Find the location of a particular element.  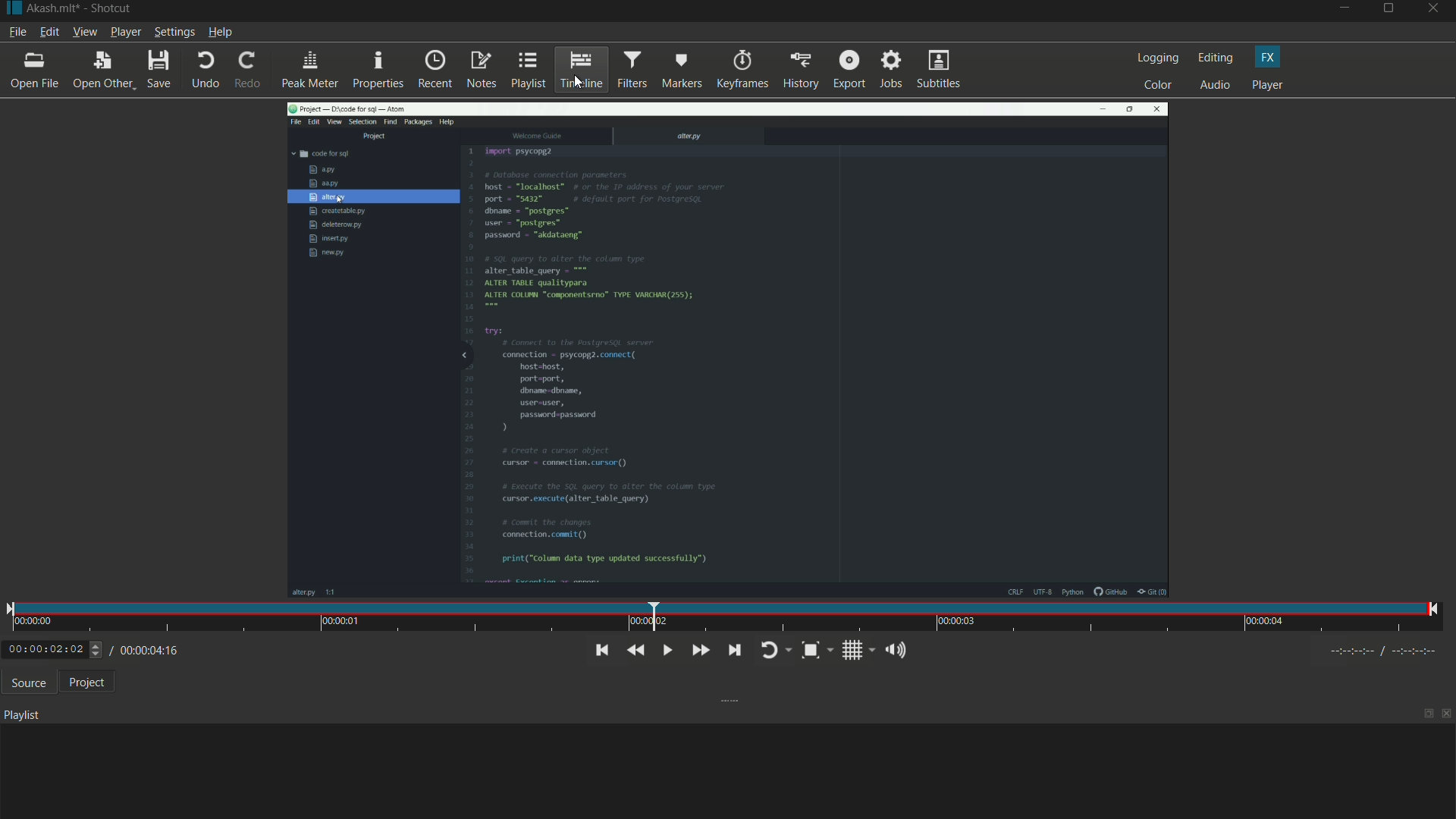

player menu is located at coordinates (126, 31).